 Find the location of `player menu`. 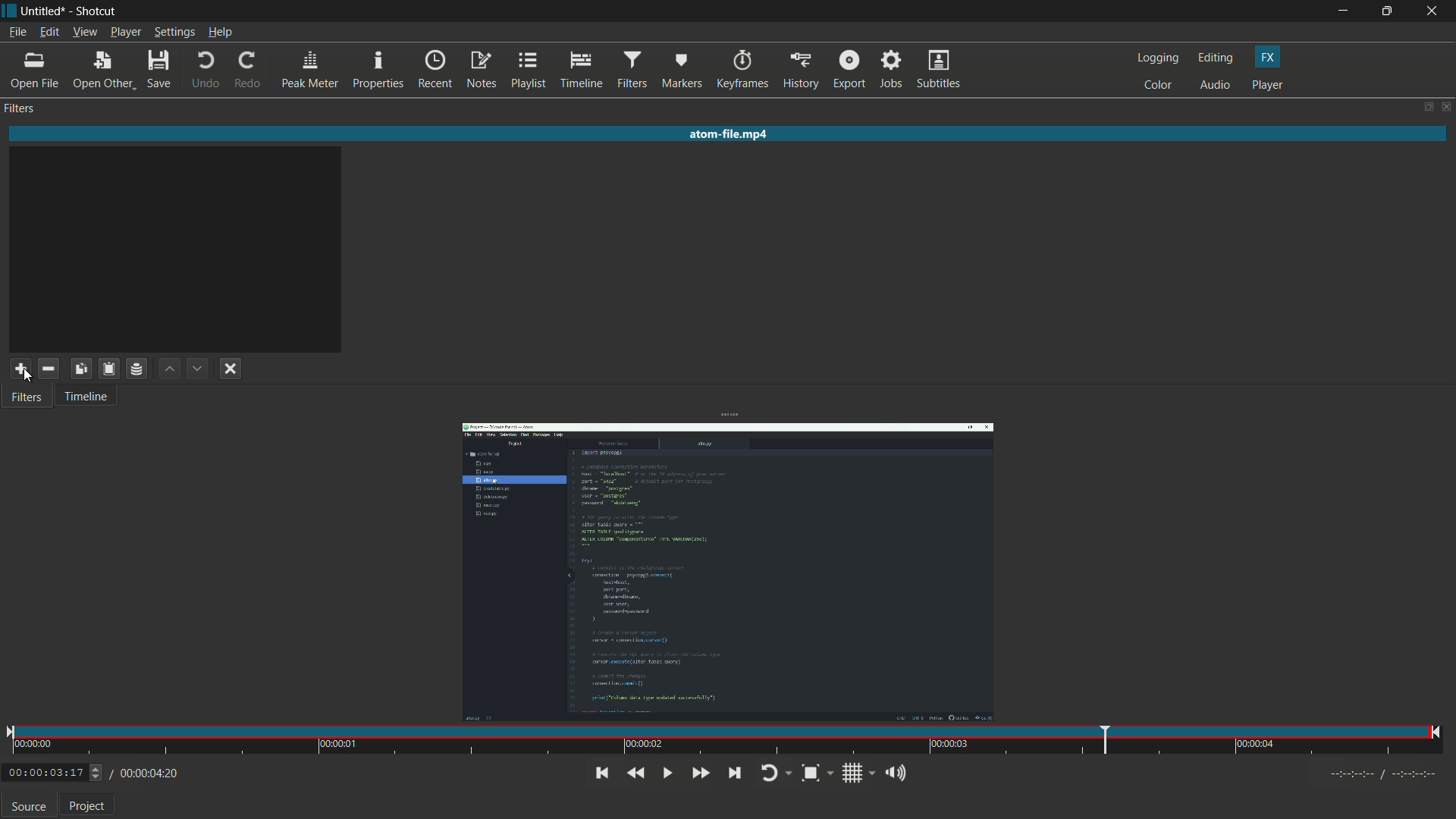

player menu is located at coordinates (126, 32).